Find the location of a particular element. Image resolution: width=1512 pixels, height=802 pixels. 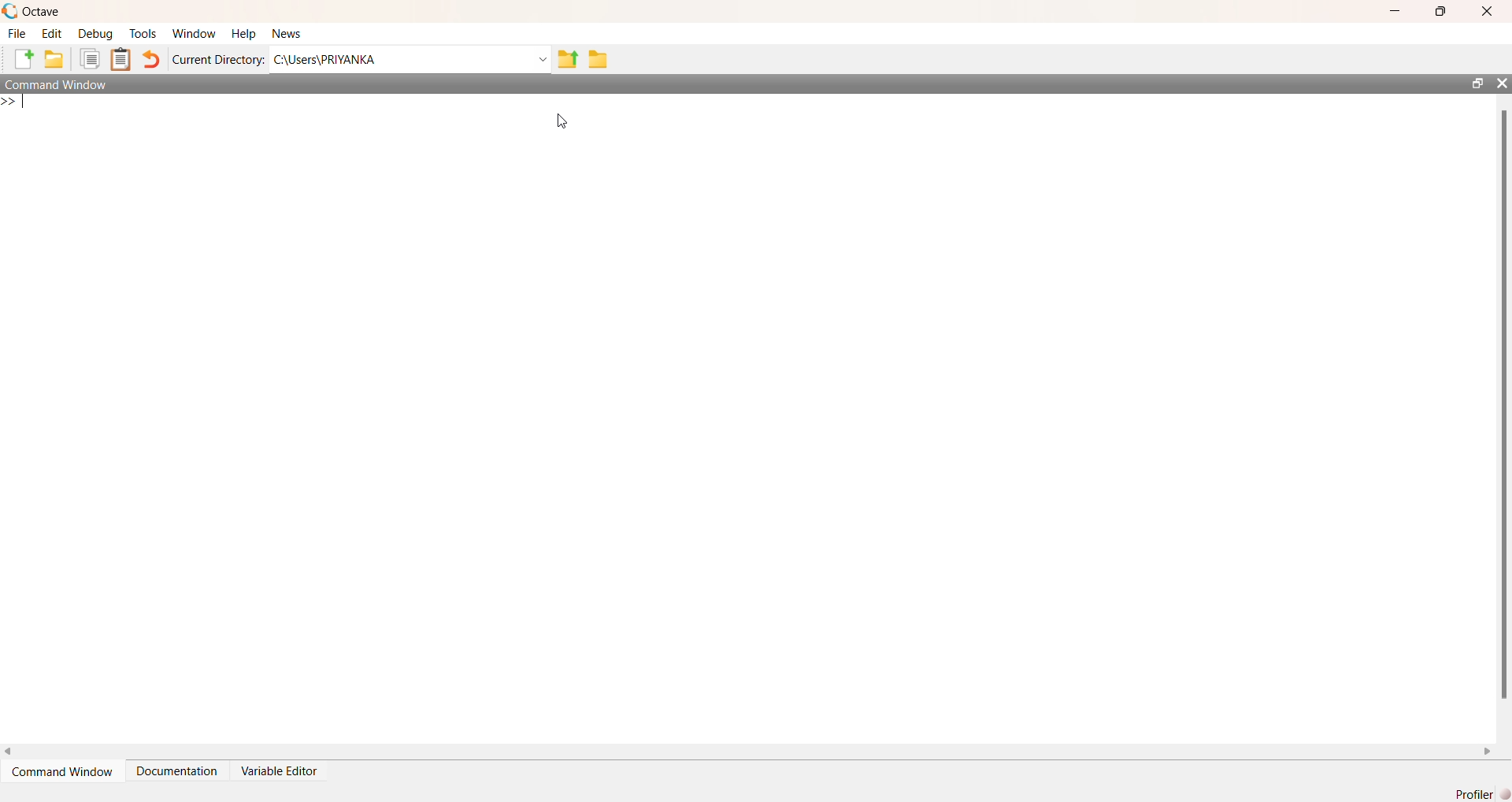

cursor is located at coordinates (561, 121).